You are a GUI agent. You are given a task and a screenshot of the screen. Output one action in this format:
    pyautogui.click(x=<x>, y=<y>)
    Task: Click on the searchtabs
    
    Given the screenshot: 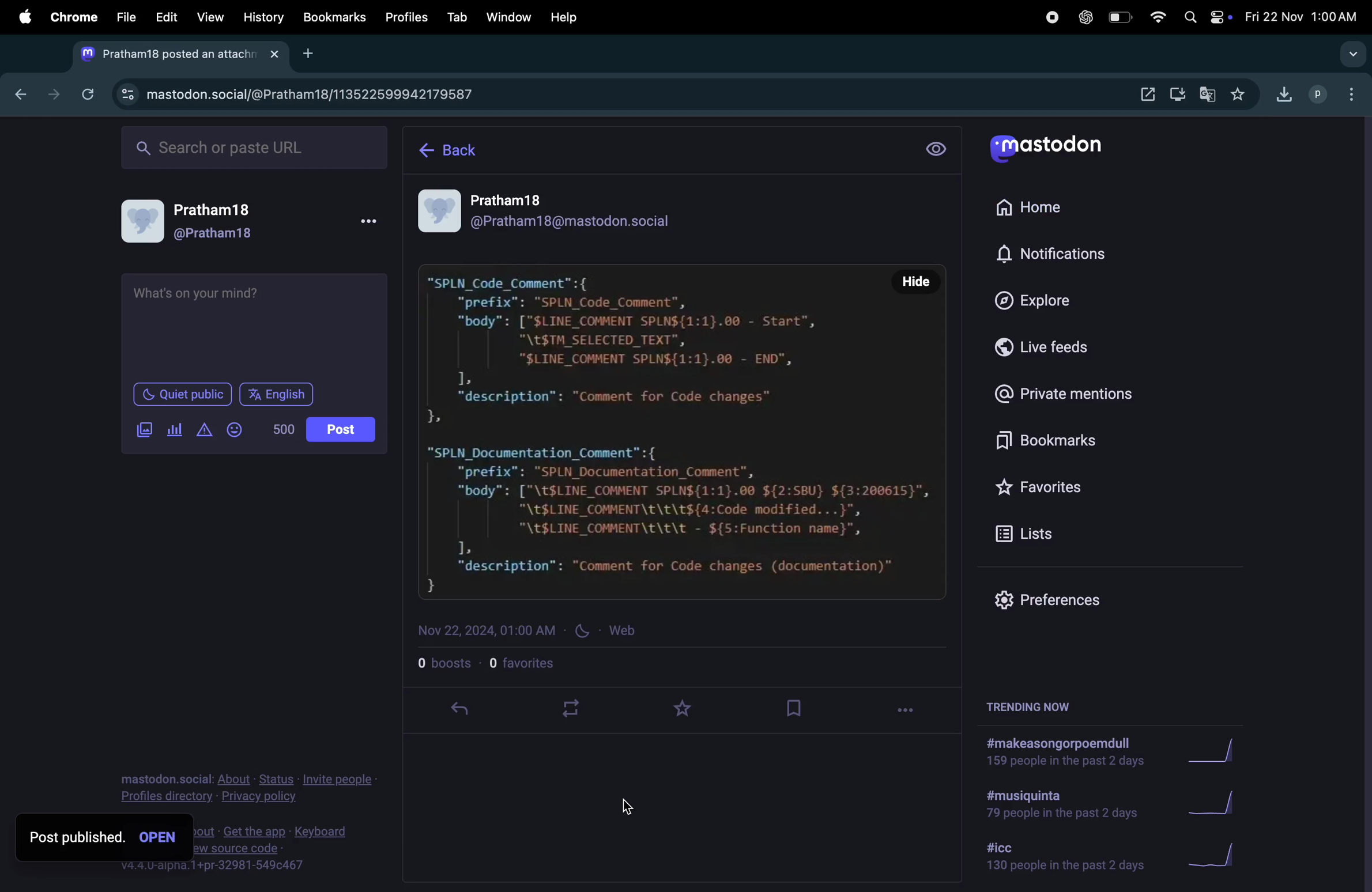 What is the action you would take?
    pyautogui.click(x=1349, y=56)
    